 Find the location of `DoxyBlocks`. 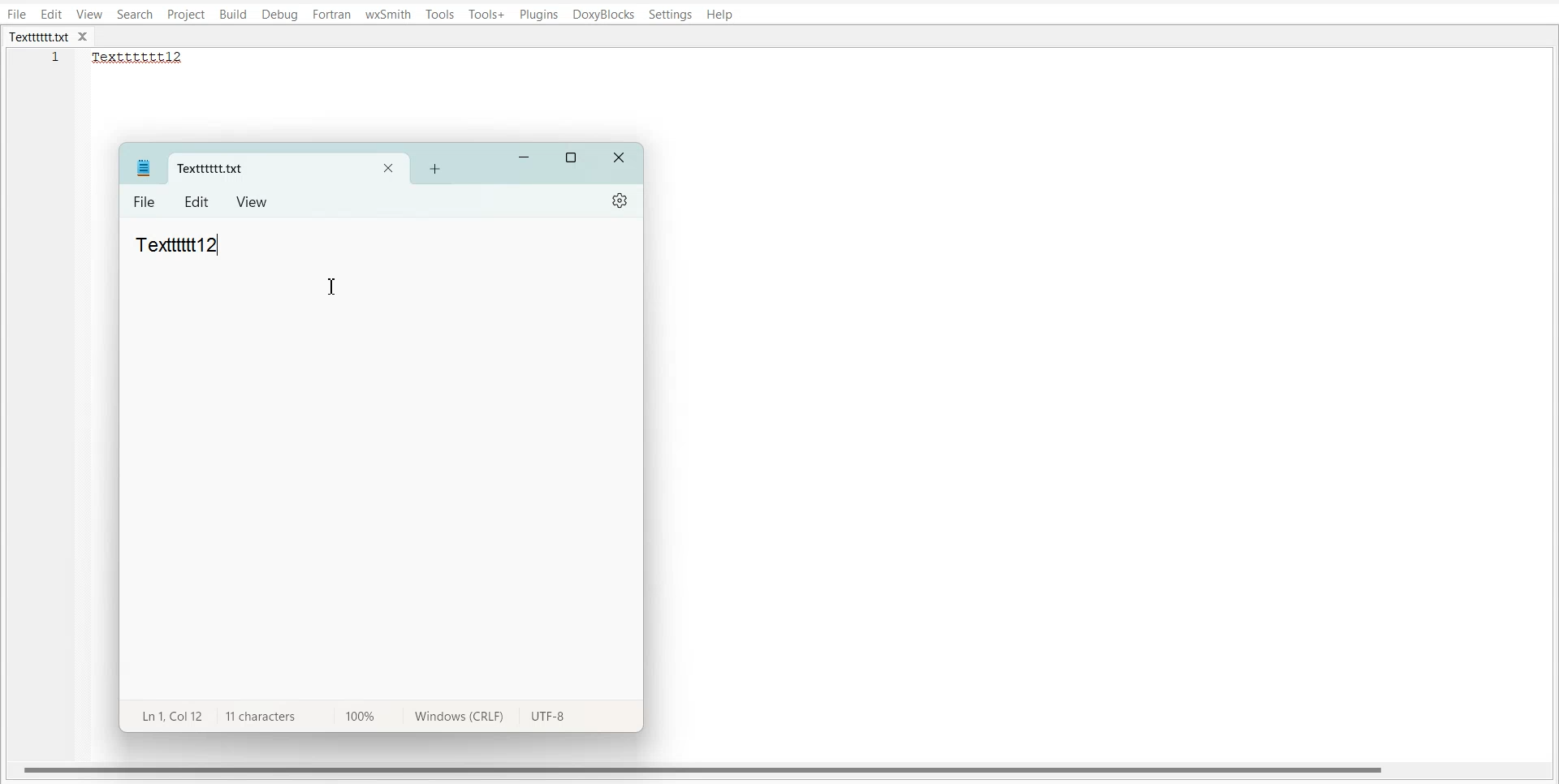

DoxyBlocks is located at coordinates (603, 15).